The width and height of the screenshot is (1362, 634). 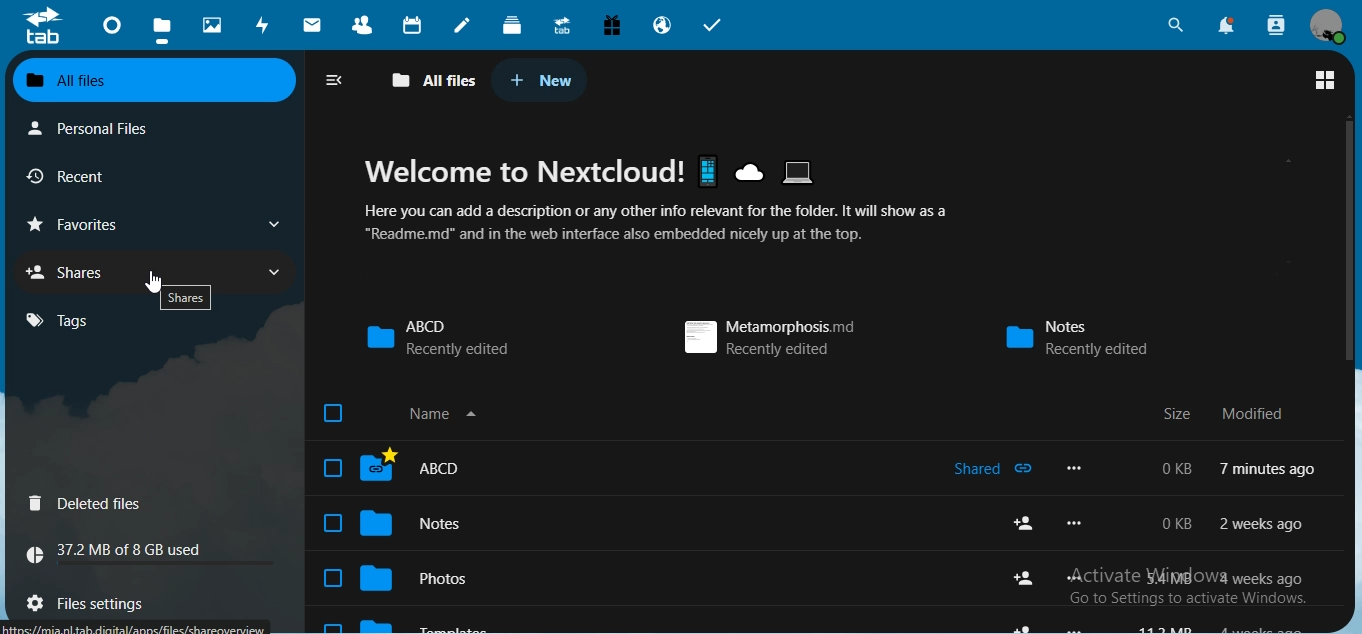 I want to click on deck, so click(x=515, y=28).